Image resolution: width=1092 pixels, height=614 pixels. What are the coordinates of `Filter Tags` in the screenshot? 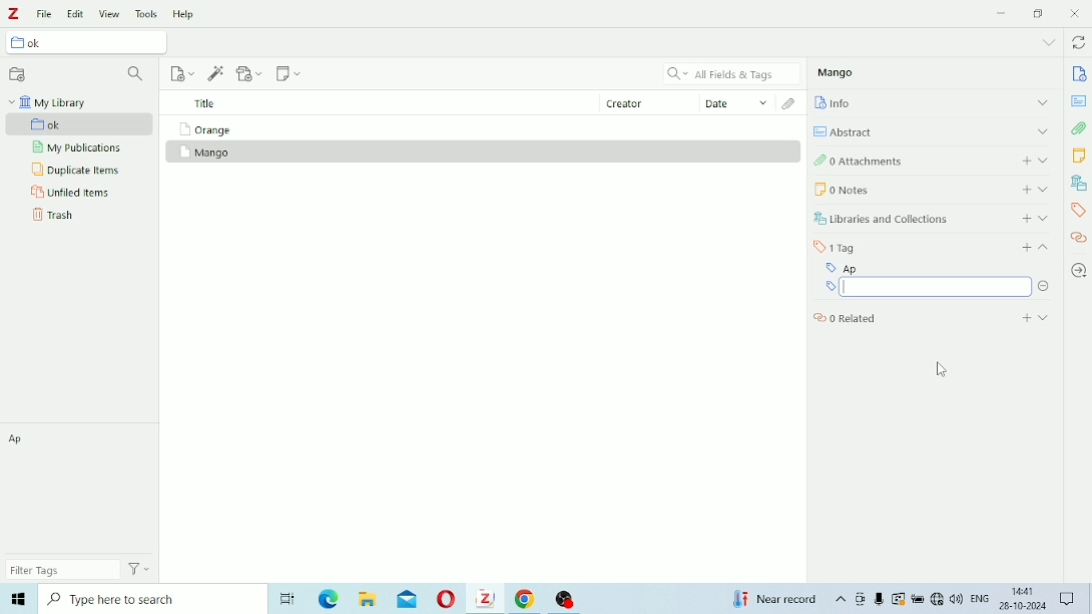 It's located at (59, 570).